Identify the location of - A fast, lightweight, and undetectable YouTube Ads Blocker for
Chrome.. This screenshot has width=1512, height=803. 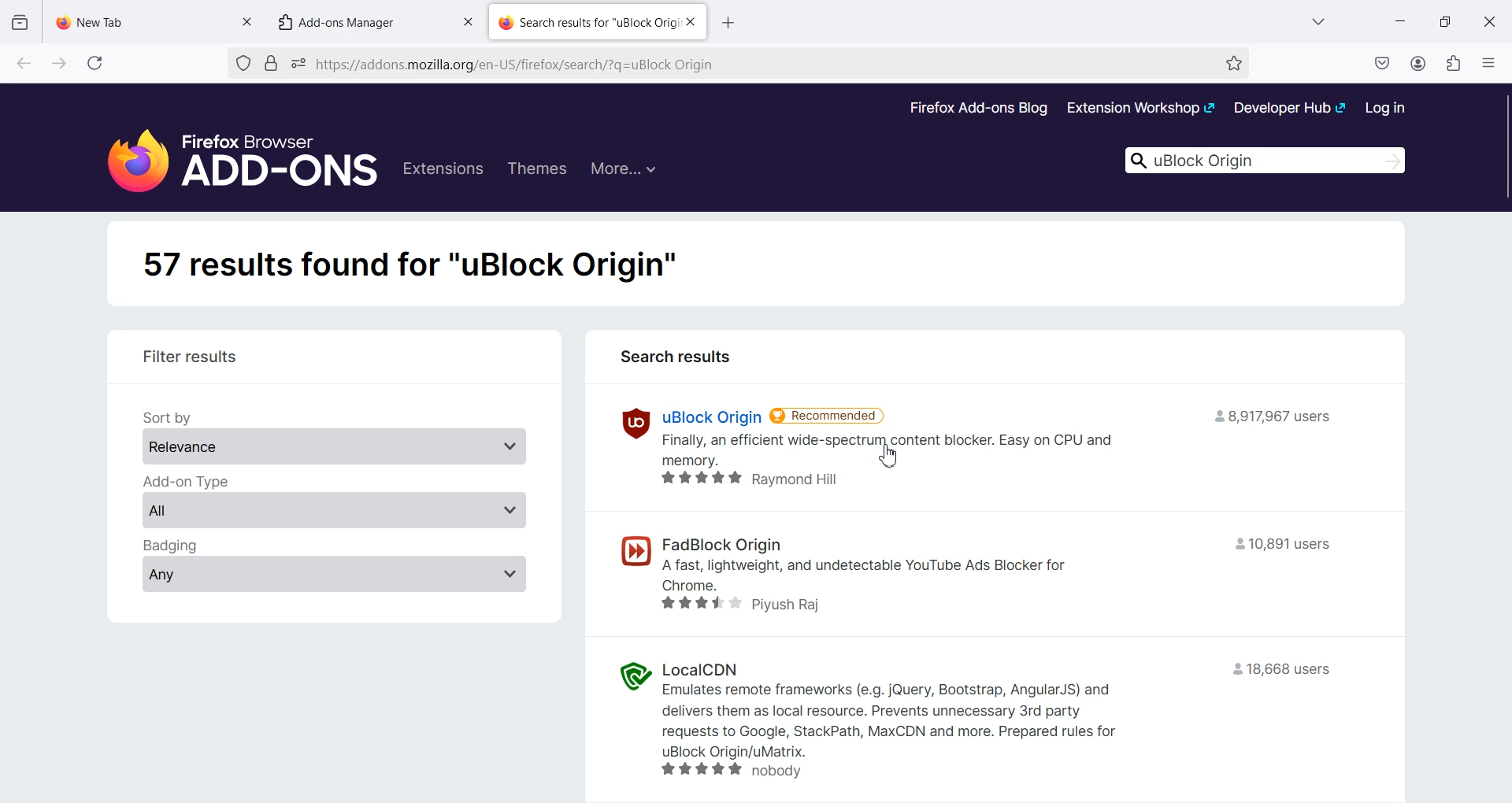
(878, 575).